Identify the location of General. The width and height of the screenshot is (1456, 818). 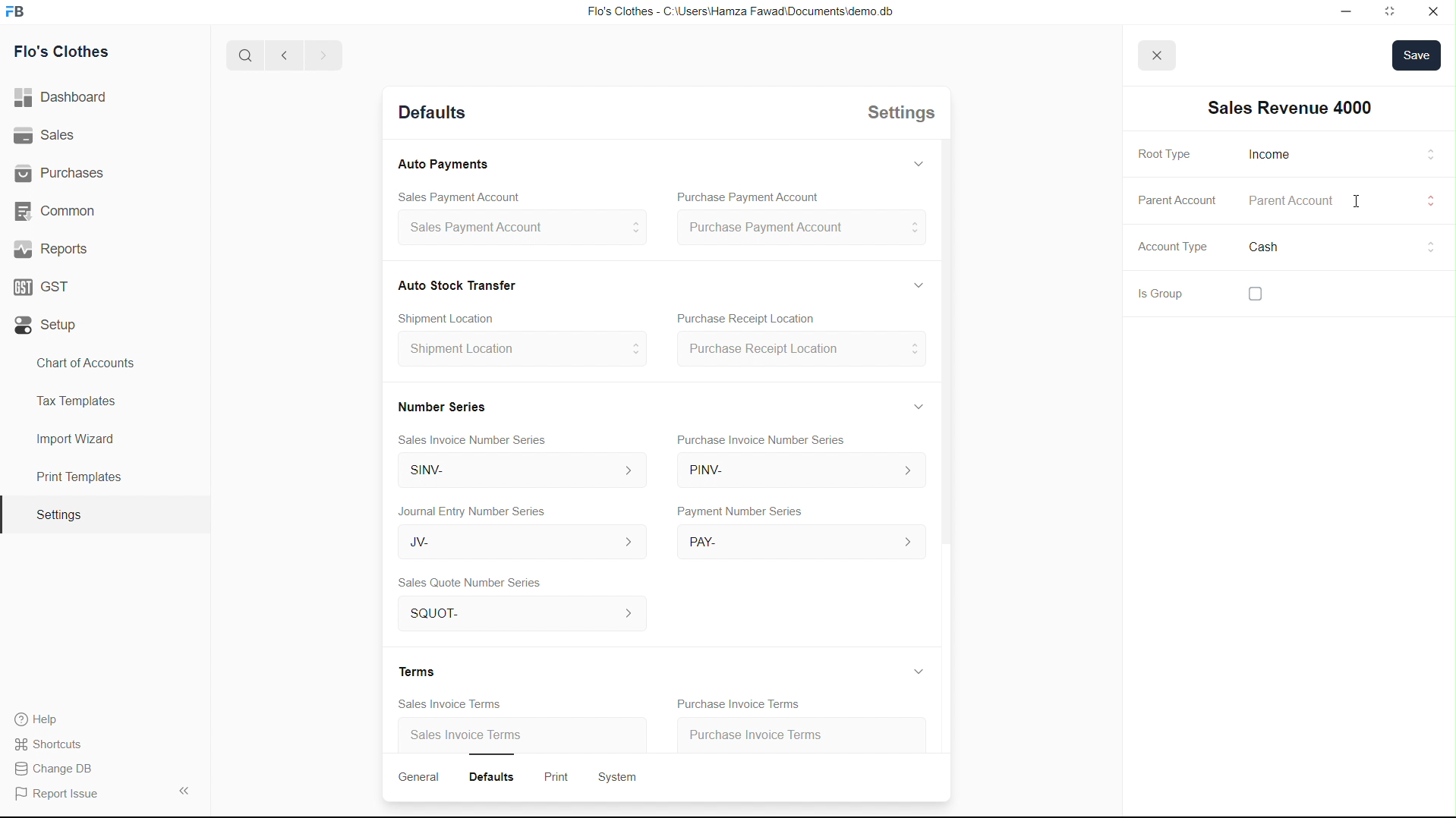
(421, 777).